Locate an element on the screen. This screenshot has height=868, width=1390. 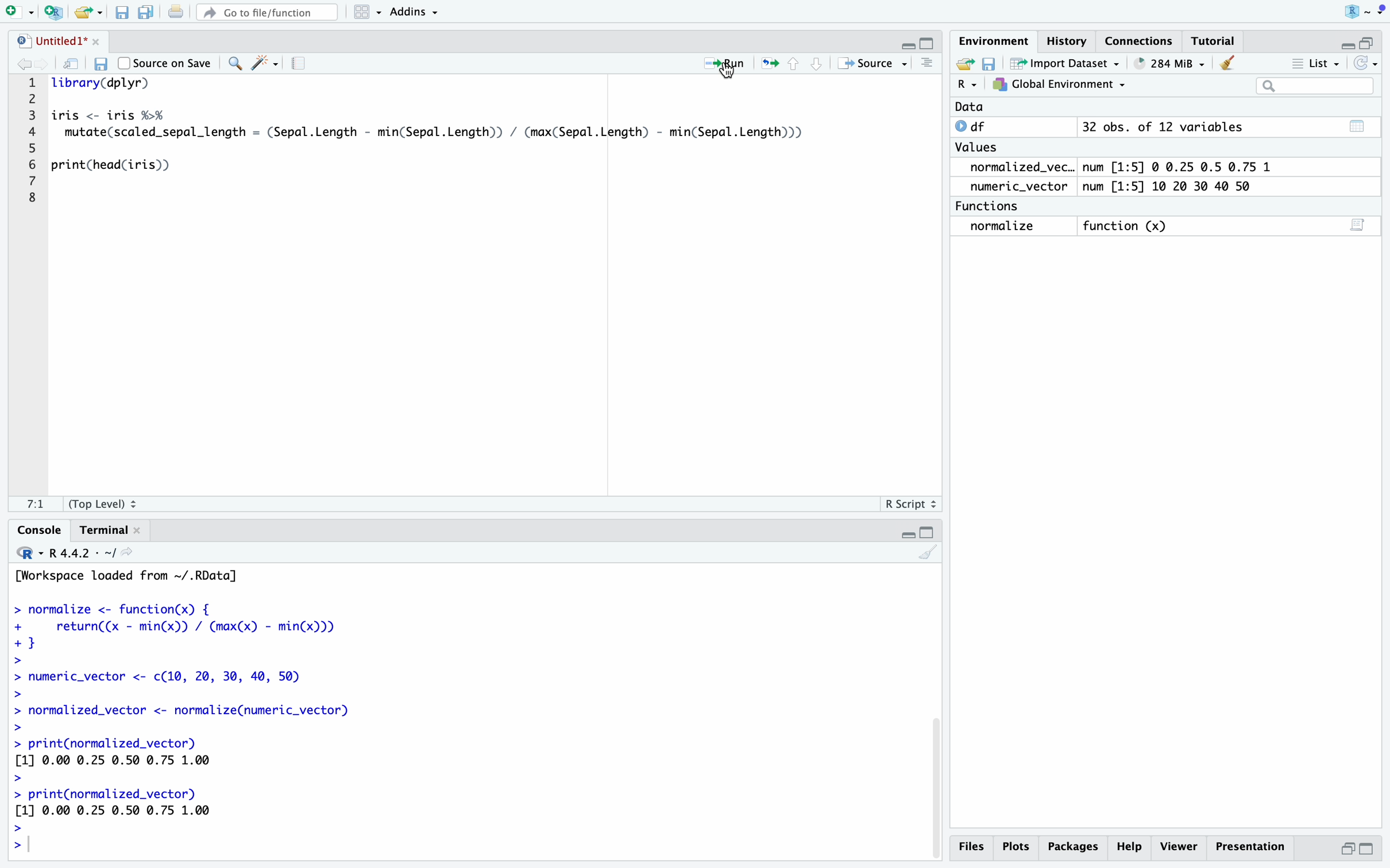
Save is located at coordinates (122, 13).